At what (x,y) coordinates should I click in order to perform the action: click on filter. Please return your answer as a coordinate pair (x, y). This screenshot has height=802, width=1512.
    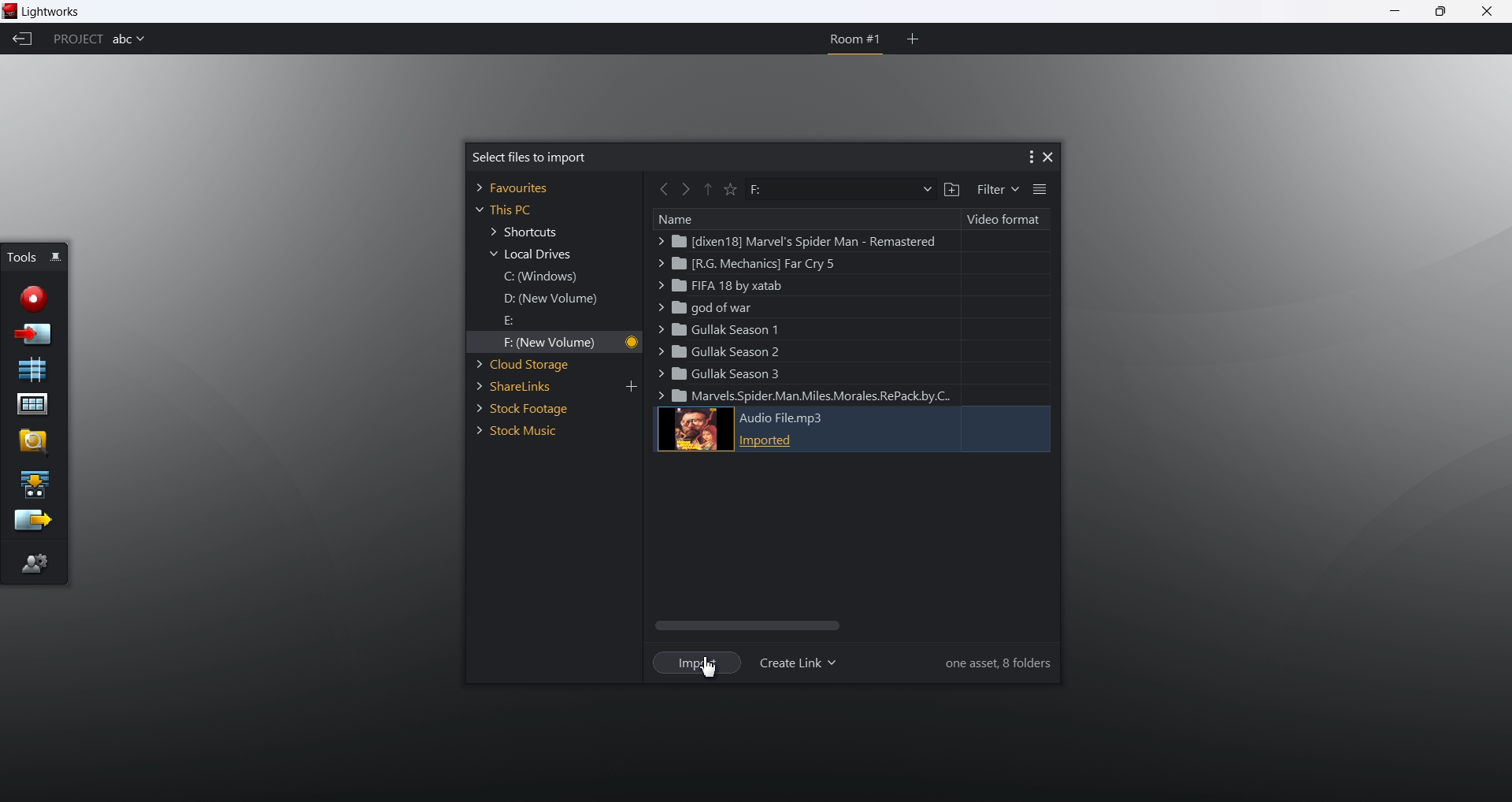
    Looking at the image, I should click on (998, 189).